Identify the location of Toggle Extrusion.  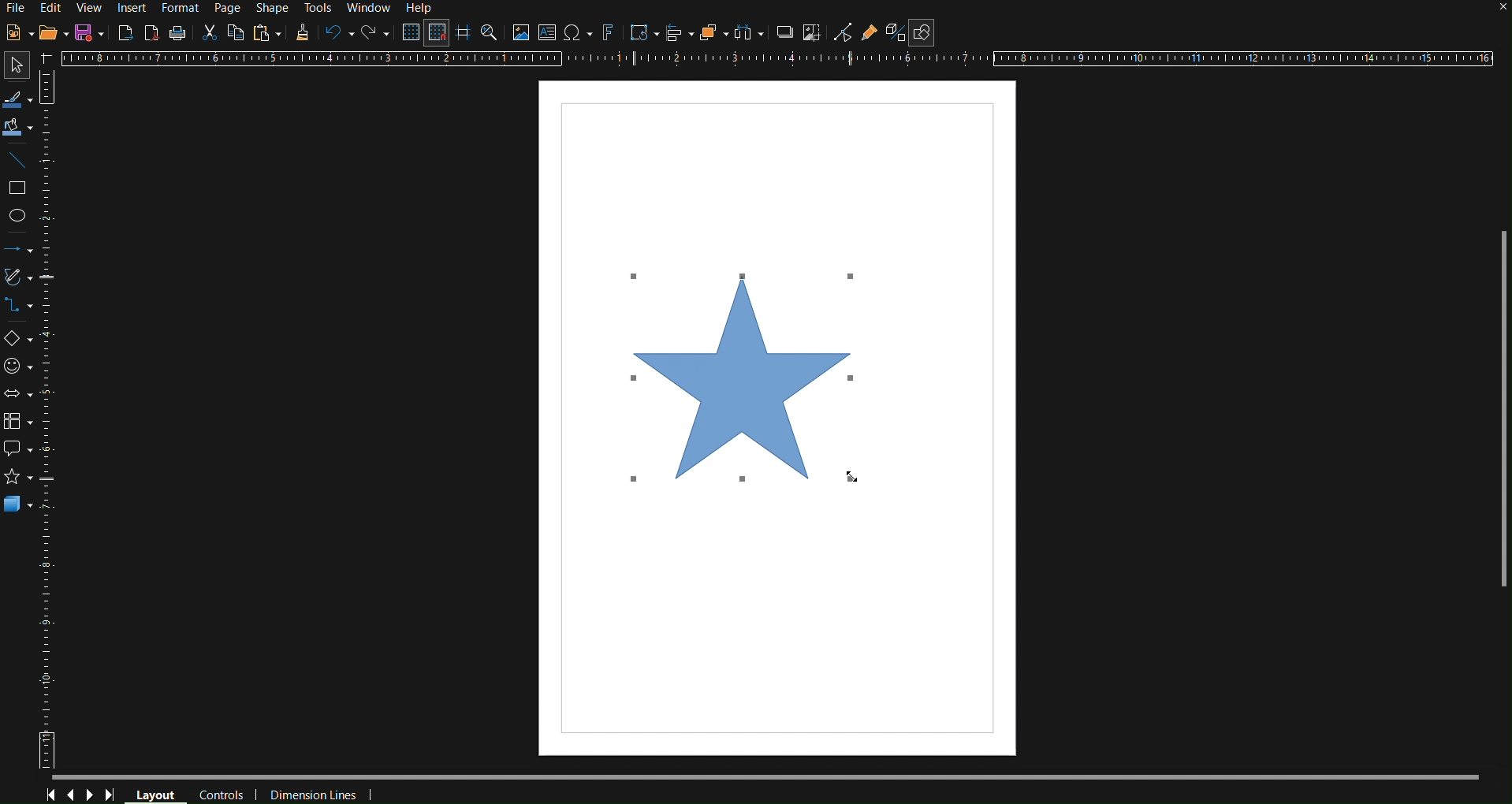
(896, 32).